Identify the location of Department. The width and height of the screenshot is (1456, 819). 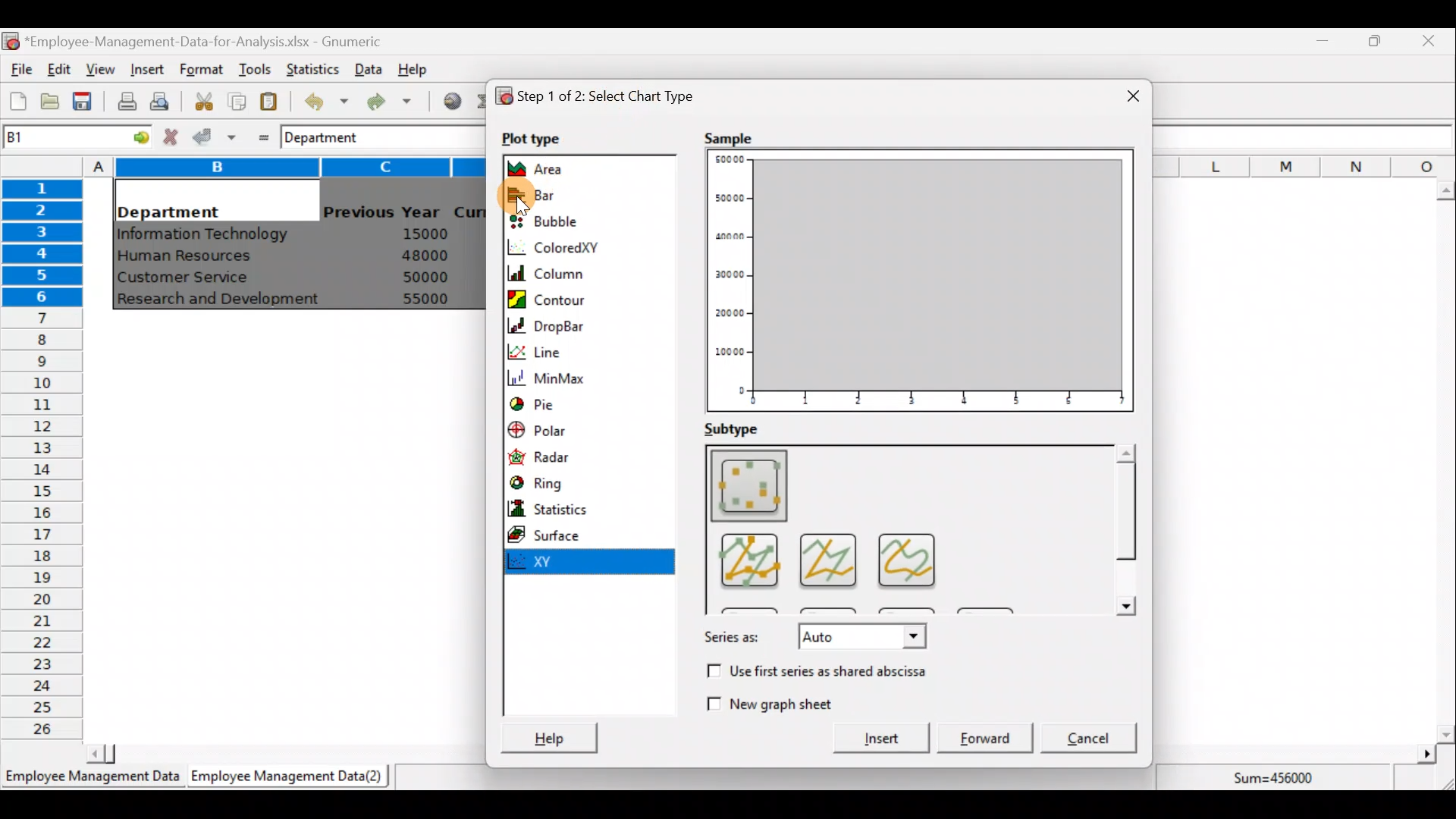
(331, 136).